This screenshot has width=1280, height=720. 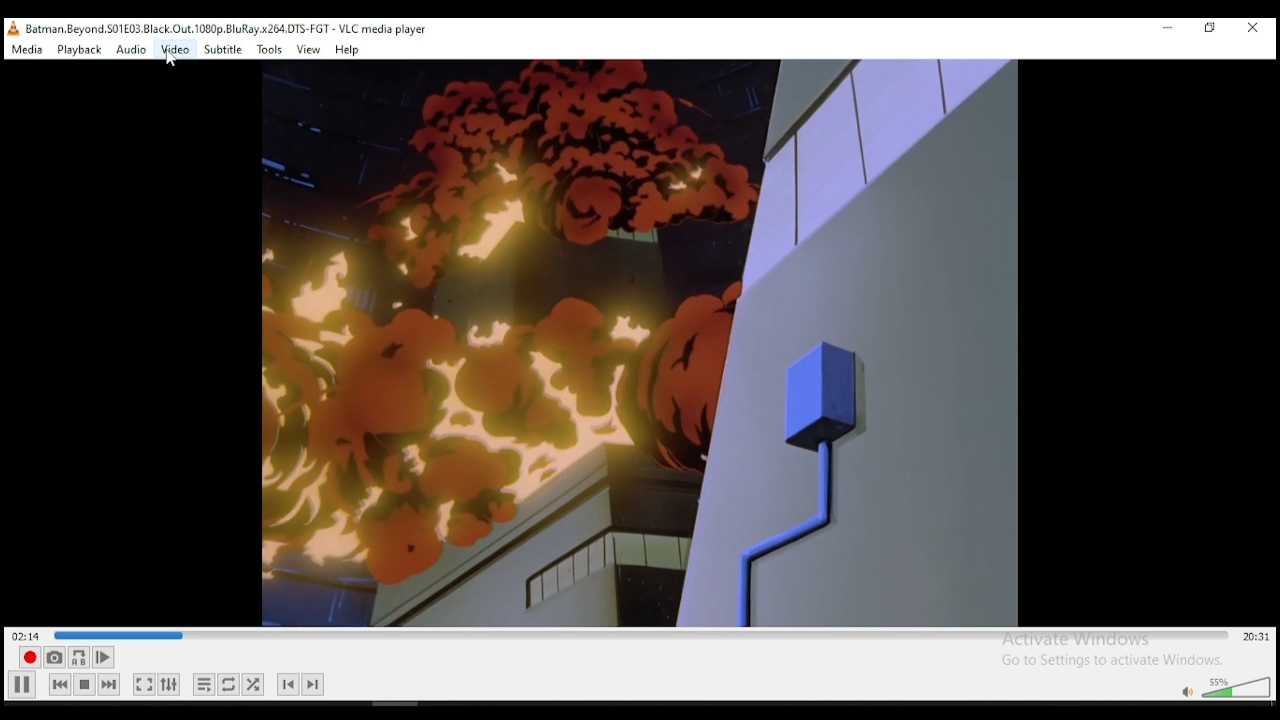 I want to click on , Batman Beyond. S01£03 Black.Out. 1080p. BluRay x264.DTS-FGT - VLC media player, so click(x=224, y=29).